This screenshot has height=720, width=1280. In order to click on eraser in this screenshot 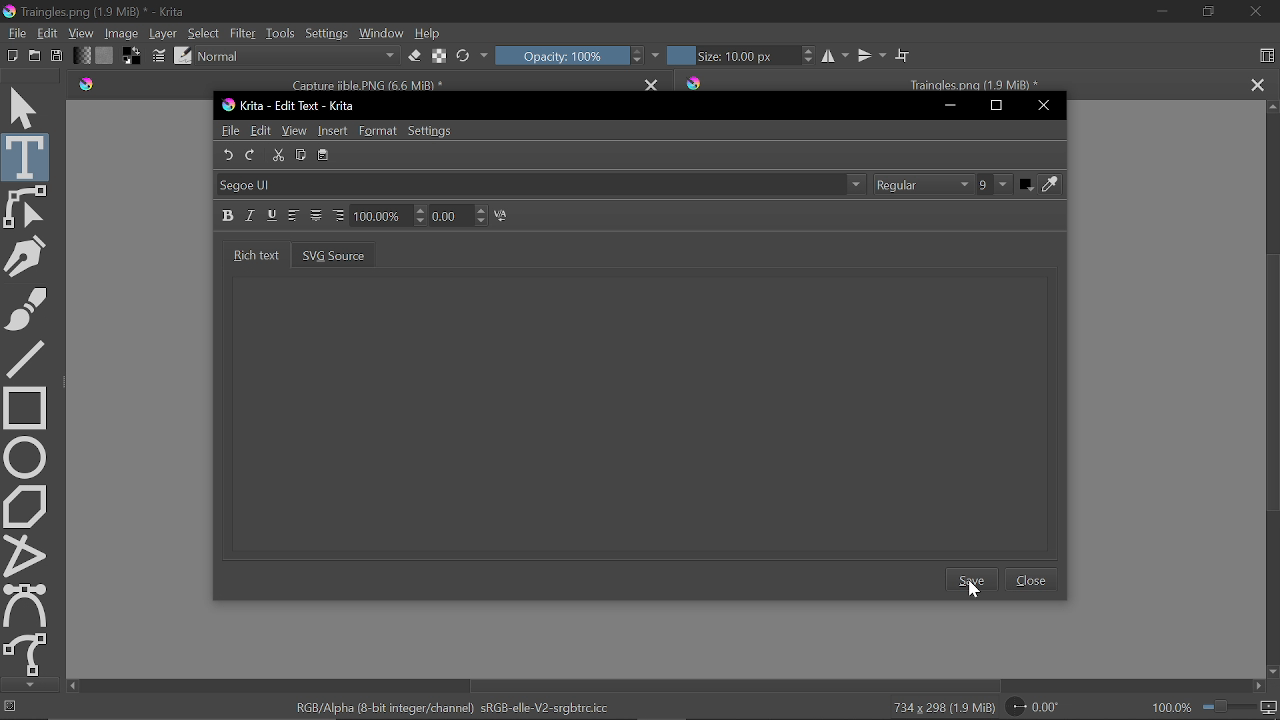, I will do `click(415, 58)`.